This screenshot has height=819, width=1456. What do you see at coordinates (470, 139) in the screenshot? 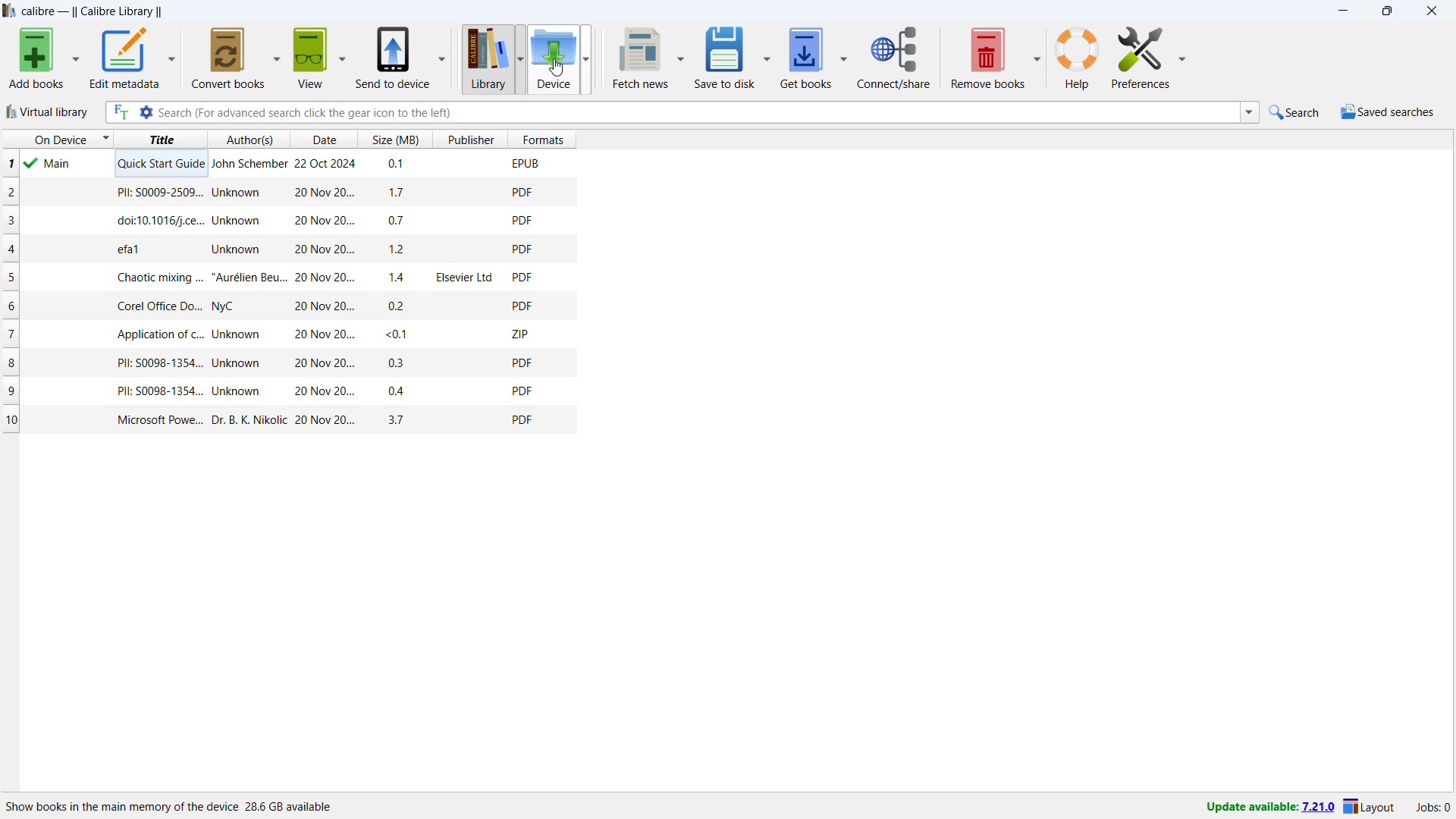
I see `sort by publisher` at bounding box center [470, 139].